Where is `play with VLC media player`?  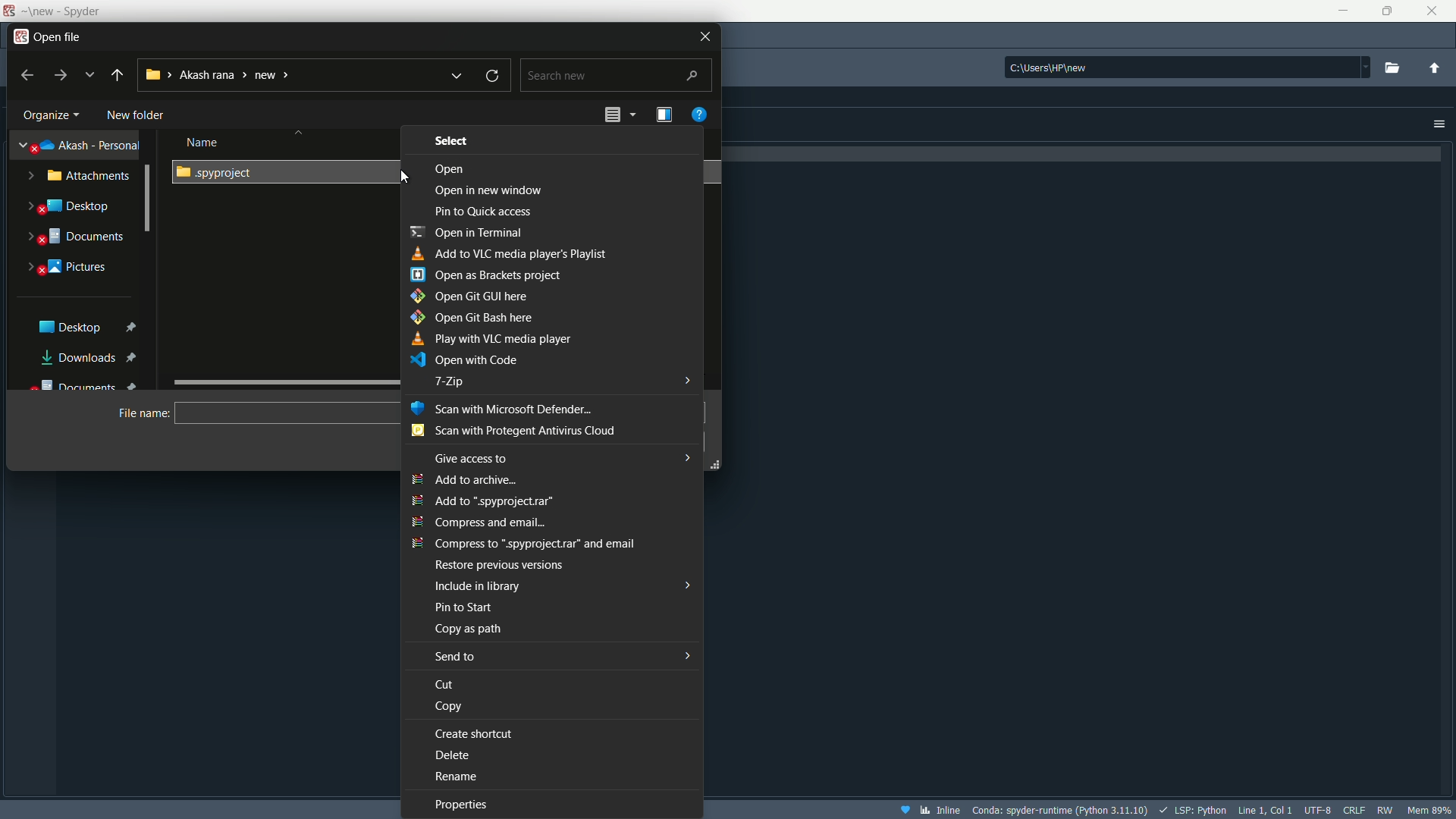 play with VLC media player is located at coordinates (506, 340).